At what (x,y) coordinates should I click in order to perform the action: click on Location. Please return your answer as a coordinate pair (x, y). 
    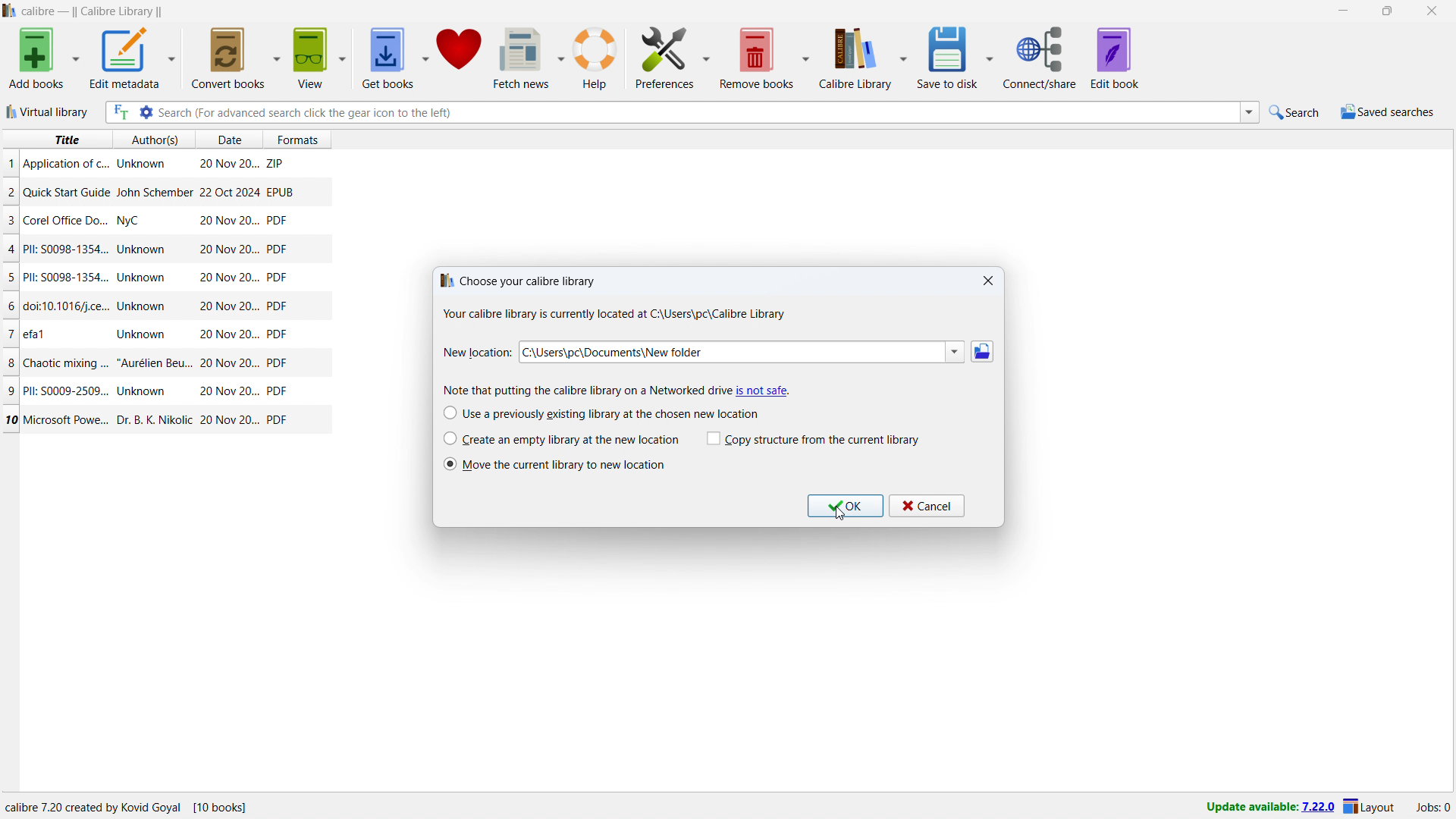
    Looking at the image, I should click on (168, 808).